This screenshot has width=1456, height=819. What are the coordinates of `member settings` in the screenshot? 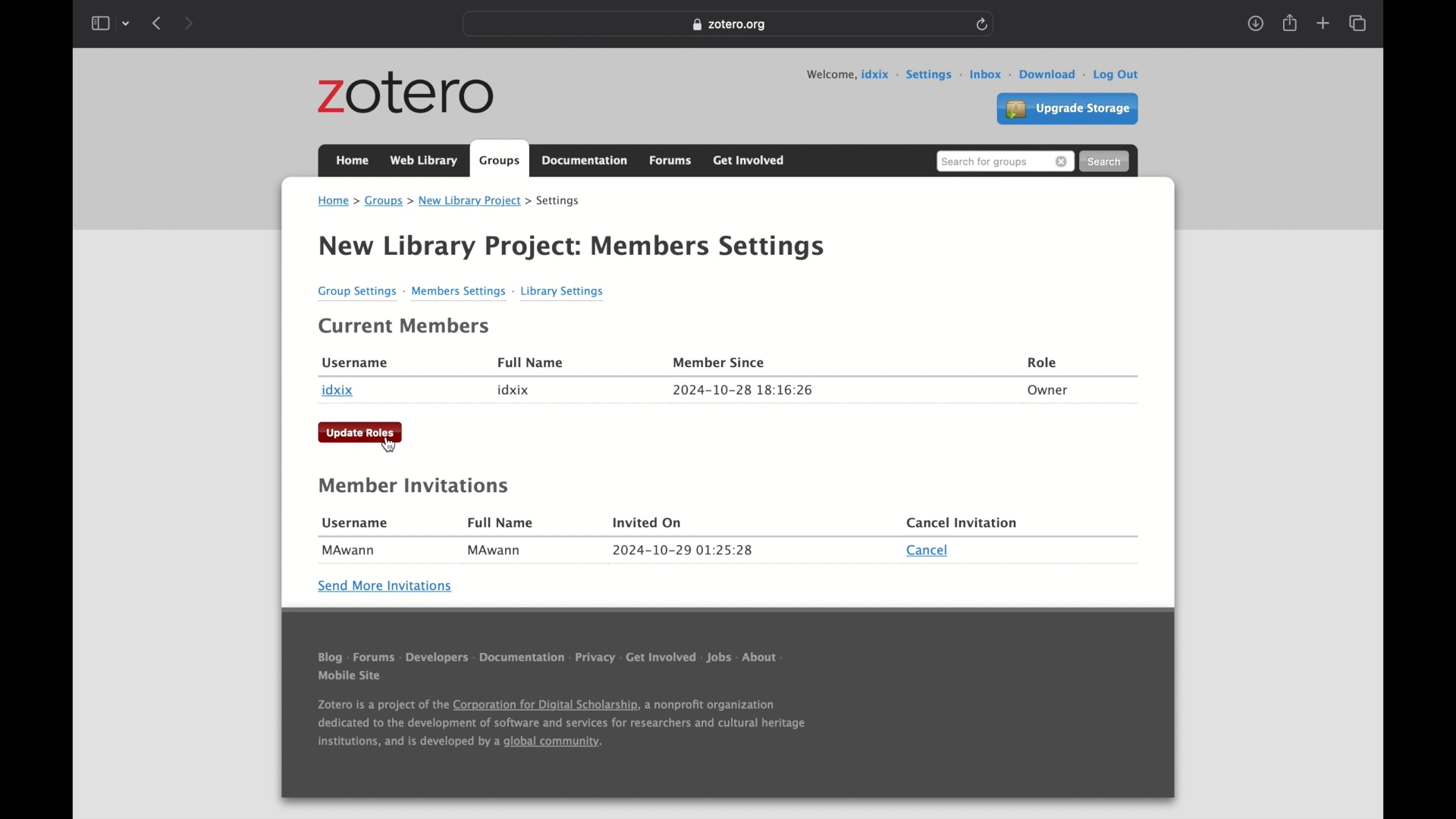 It's located at (463, 291).